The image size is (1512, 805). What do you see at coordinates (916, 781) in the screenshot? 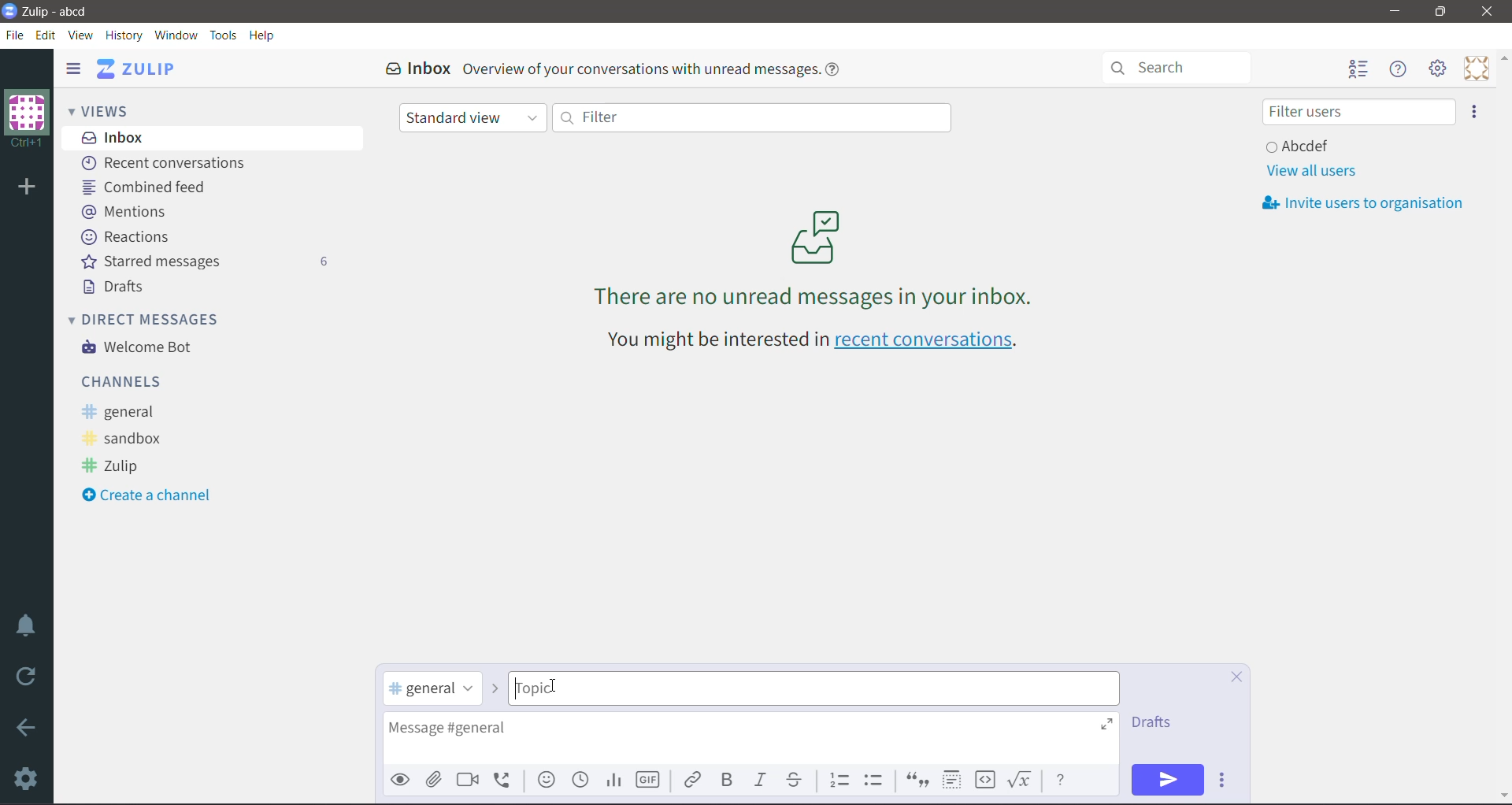
I see `Quote` at bounding box center [916, 781].